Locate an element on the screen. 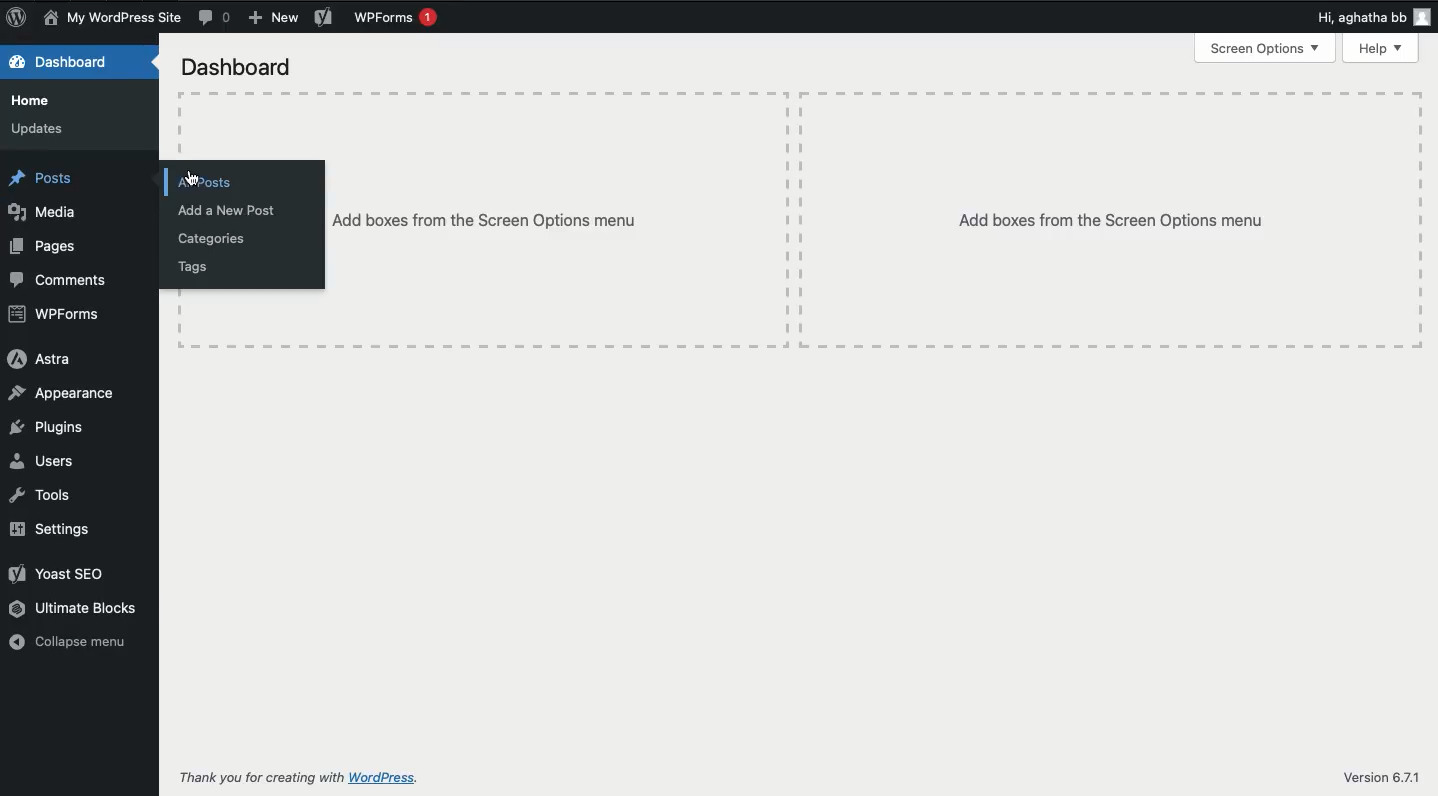 This screenshot has width=1438, height=796. Dashboard  is located at coordinates (69, 65).